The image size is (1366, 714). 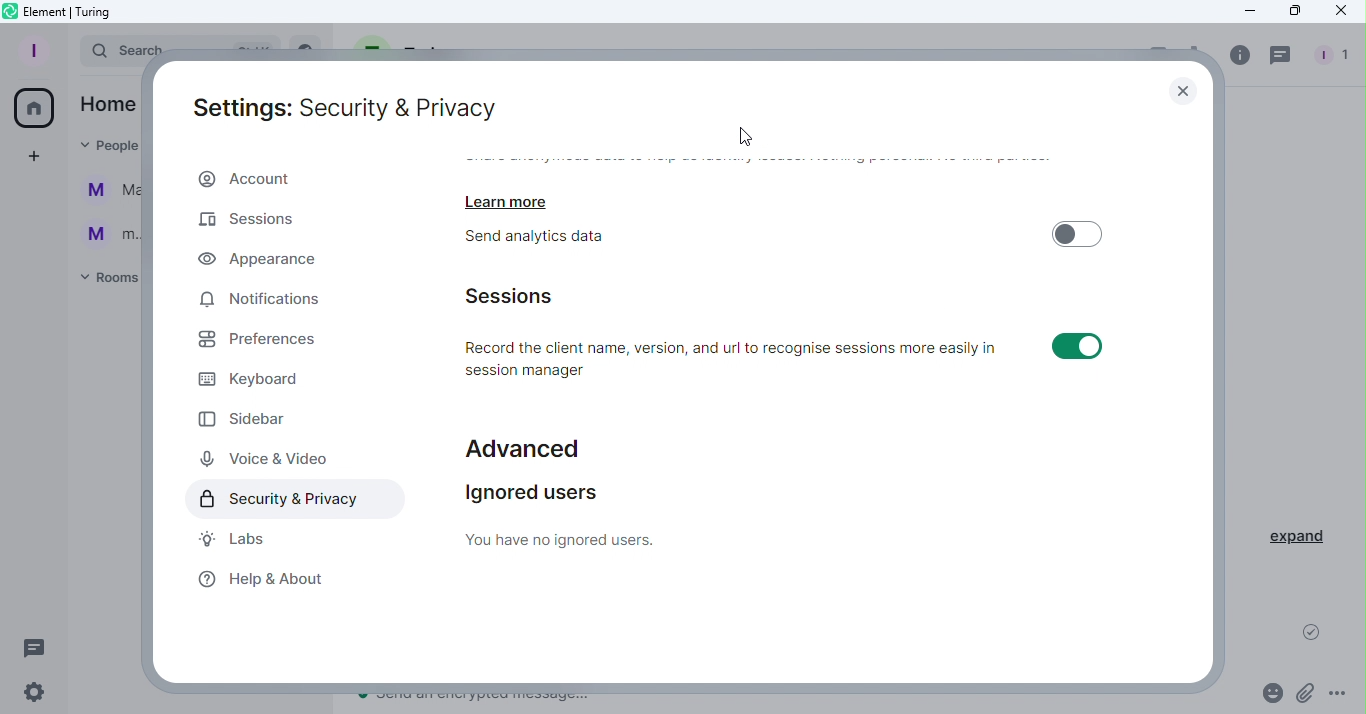 I want to click on Close, so click(x=1339, y=13).